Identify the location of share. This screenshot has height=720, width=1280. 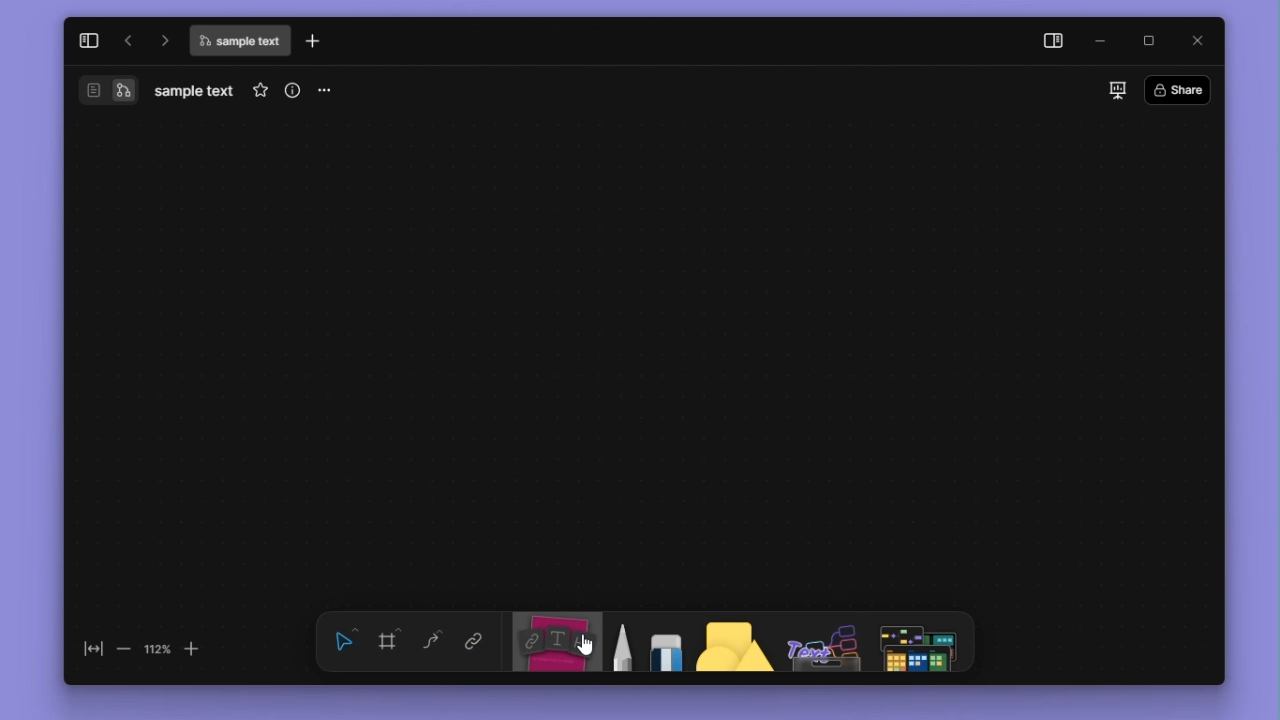
(1178, 89).